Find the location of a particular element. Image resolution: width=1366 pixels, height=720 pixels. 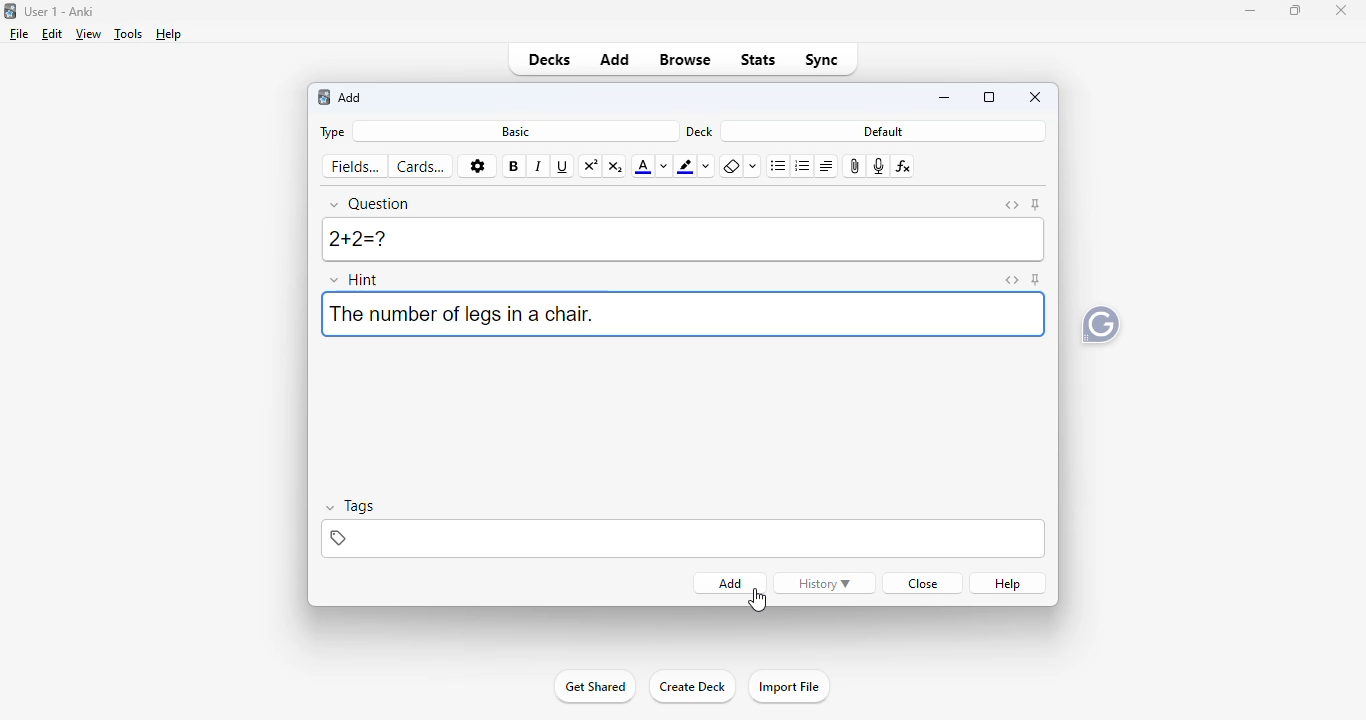

deck is located at coordinates (698, 132).